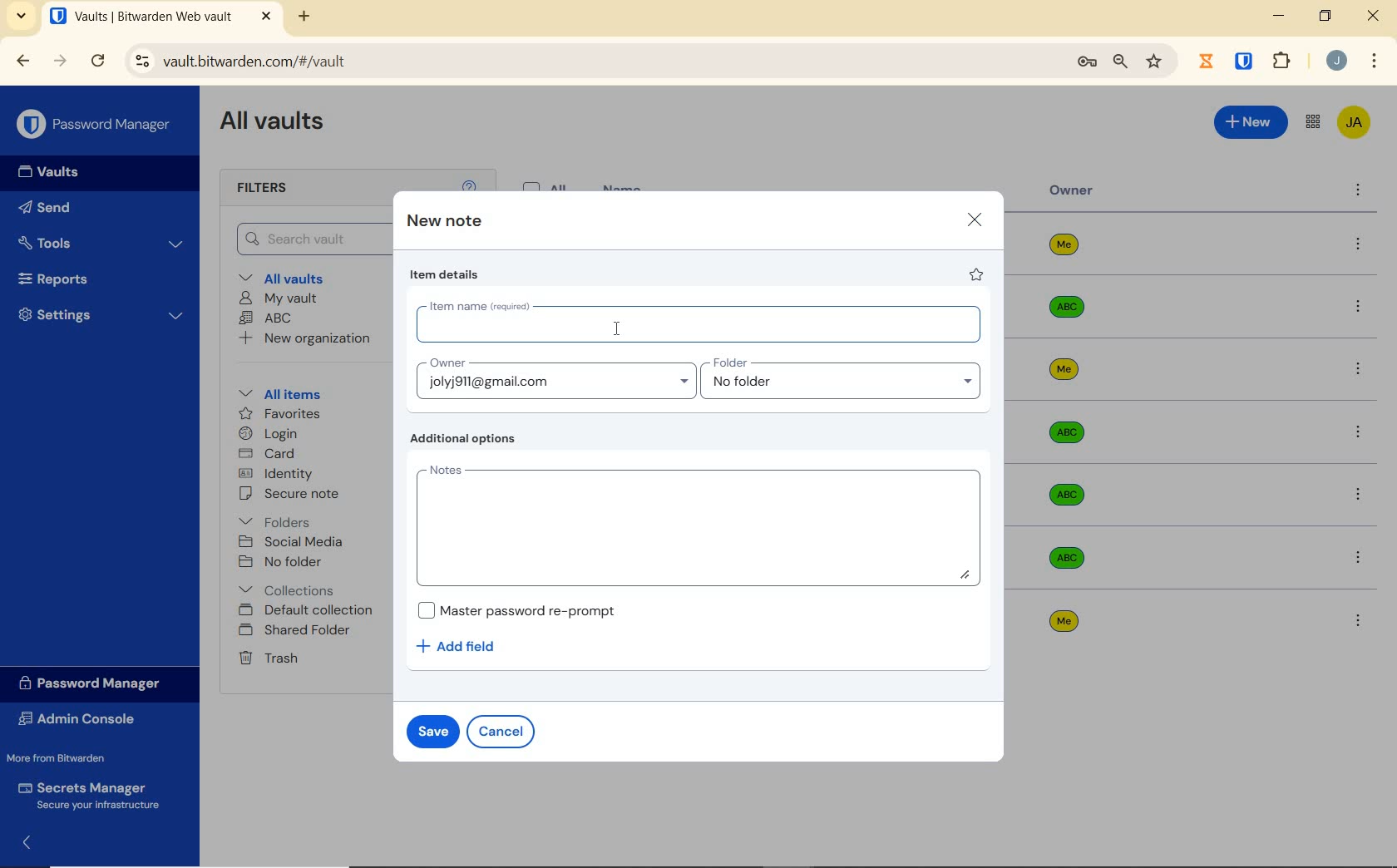 The height and width of the screenshot is (868, 1397). I want to click on open tab, so click(141, 17).